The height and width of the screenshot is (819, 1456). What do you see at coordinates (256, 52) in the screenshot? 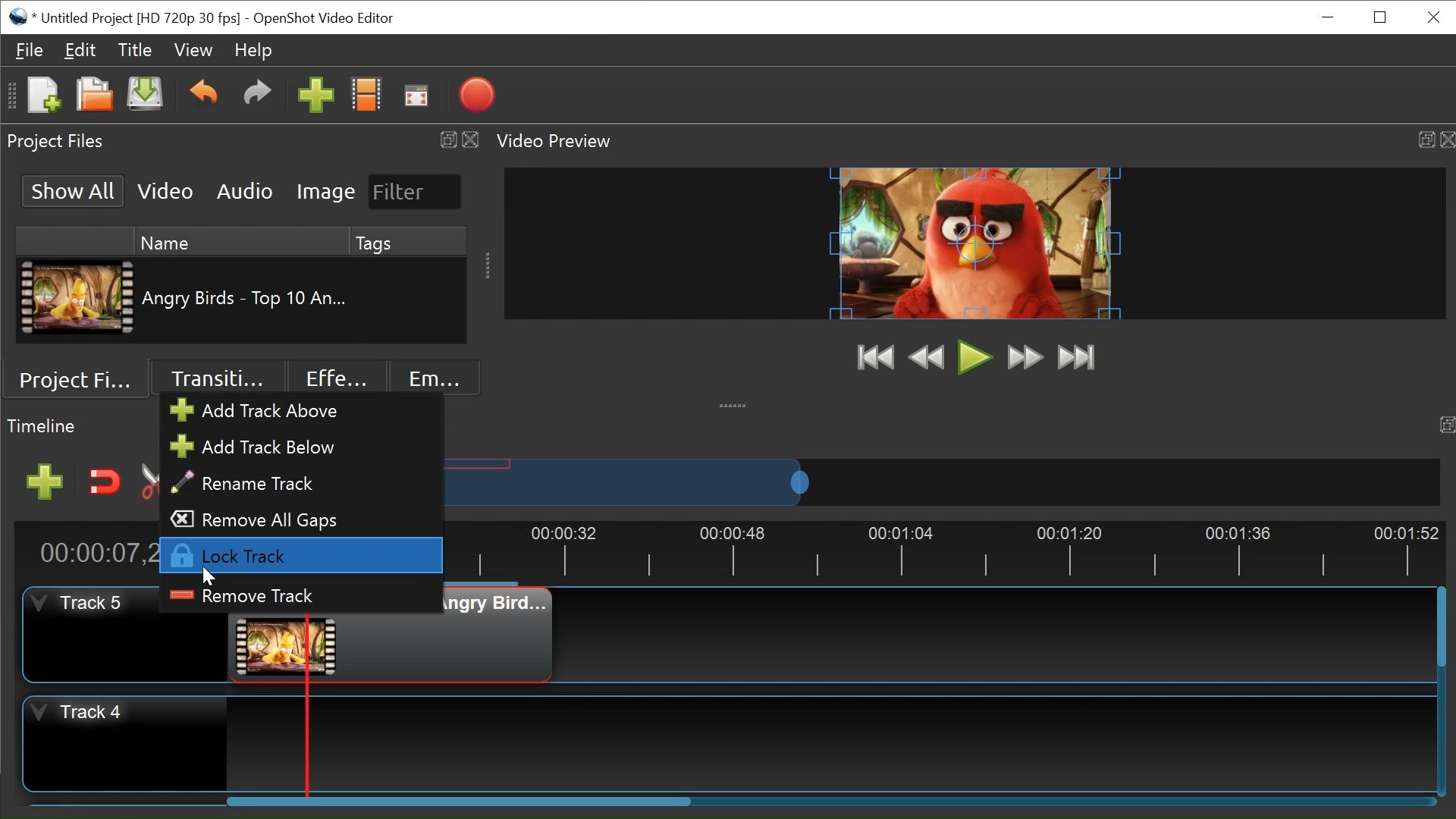
I see `Help` at bounding box center [256, 52].